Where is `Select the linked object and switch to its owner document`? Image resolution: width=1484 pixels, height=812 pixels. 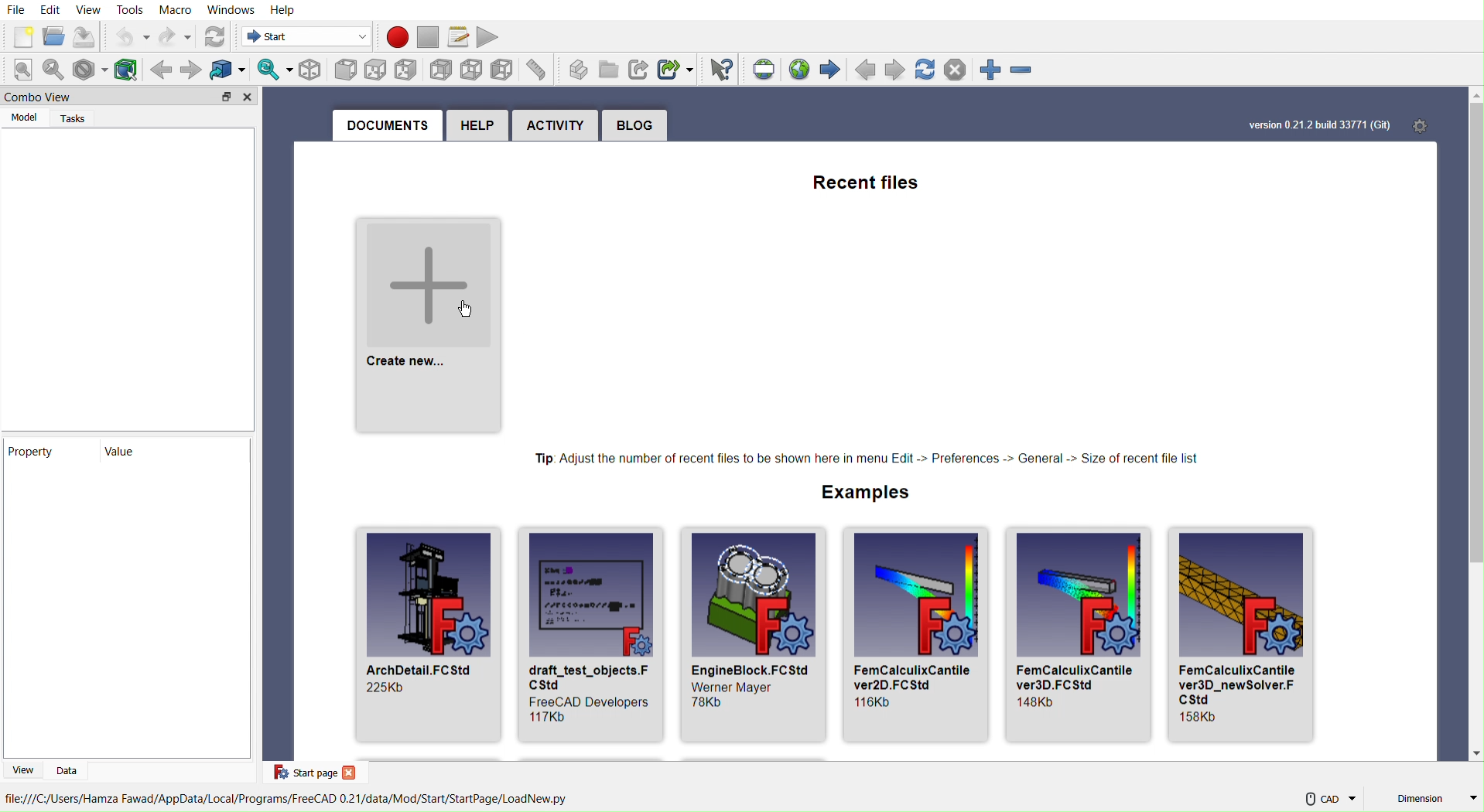 Select the linked object and switch to its owner document is located at coordinates (227, 69).